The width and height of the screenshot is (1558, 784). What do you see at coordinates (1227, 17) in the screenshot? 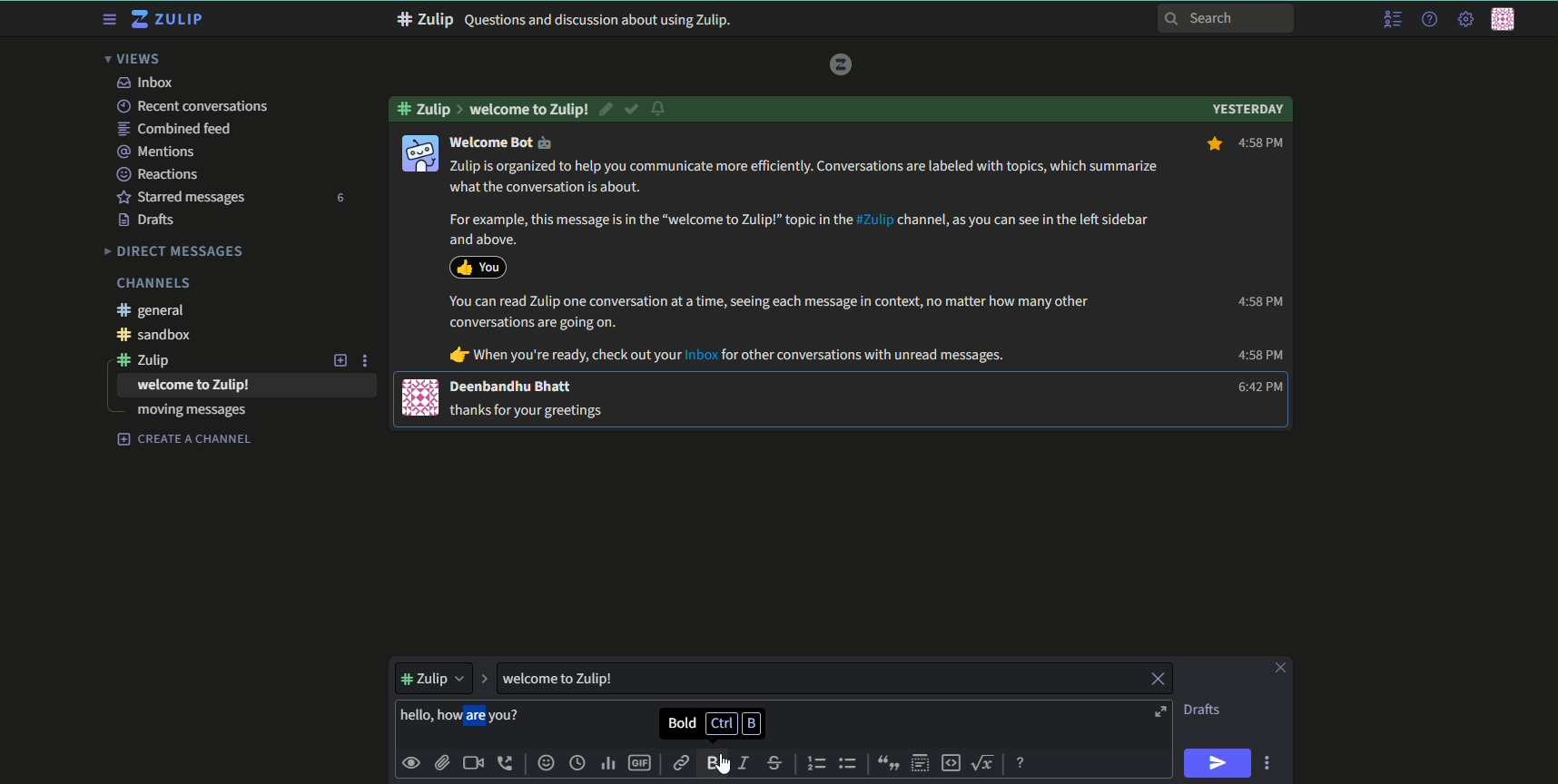
I see `search bar` at bounding box center [1227, 17].